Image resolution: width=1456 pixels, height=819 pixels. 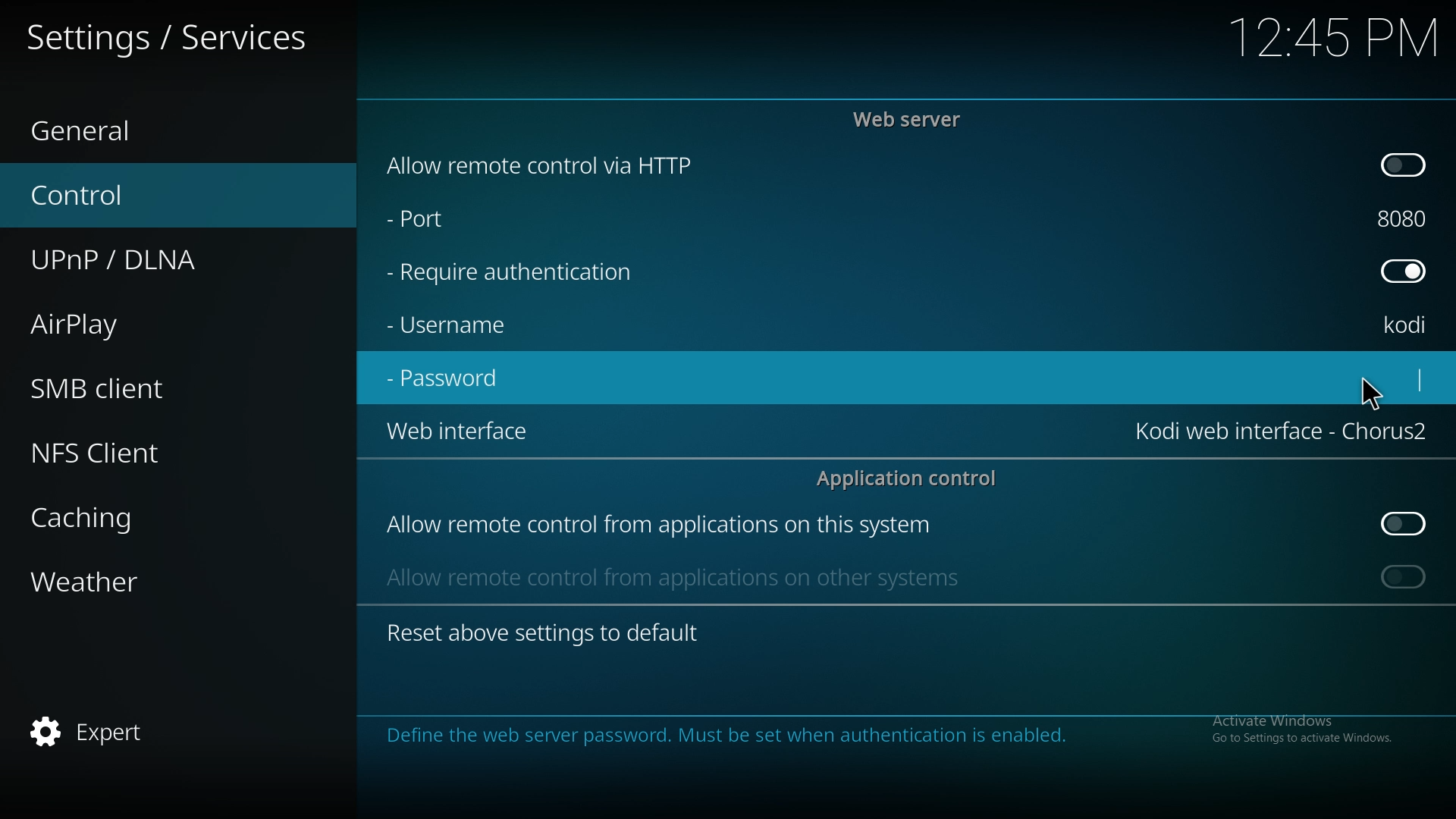 What do you see at coordinates (512, 273) in the screenshot?
I see `require authentication` at bounding box center [512, 273].